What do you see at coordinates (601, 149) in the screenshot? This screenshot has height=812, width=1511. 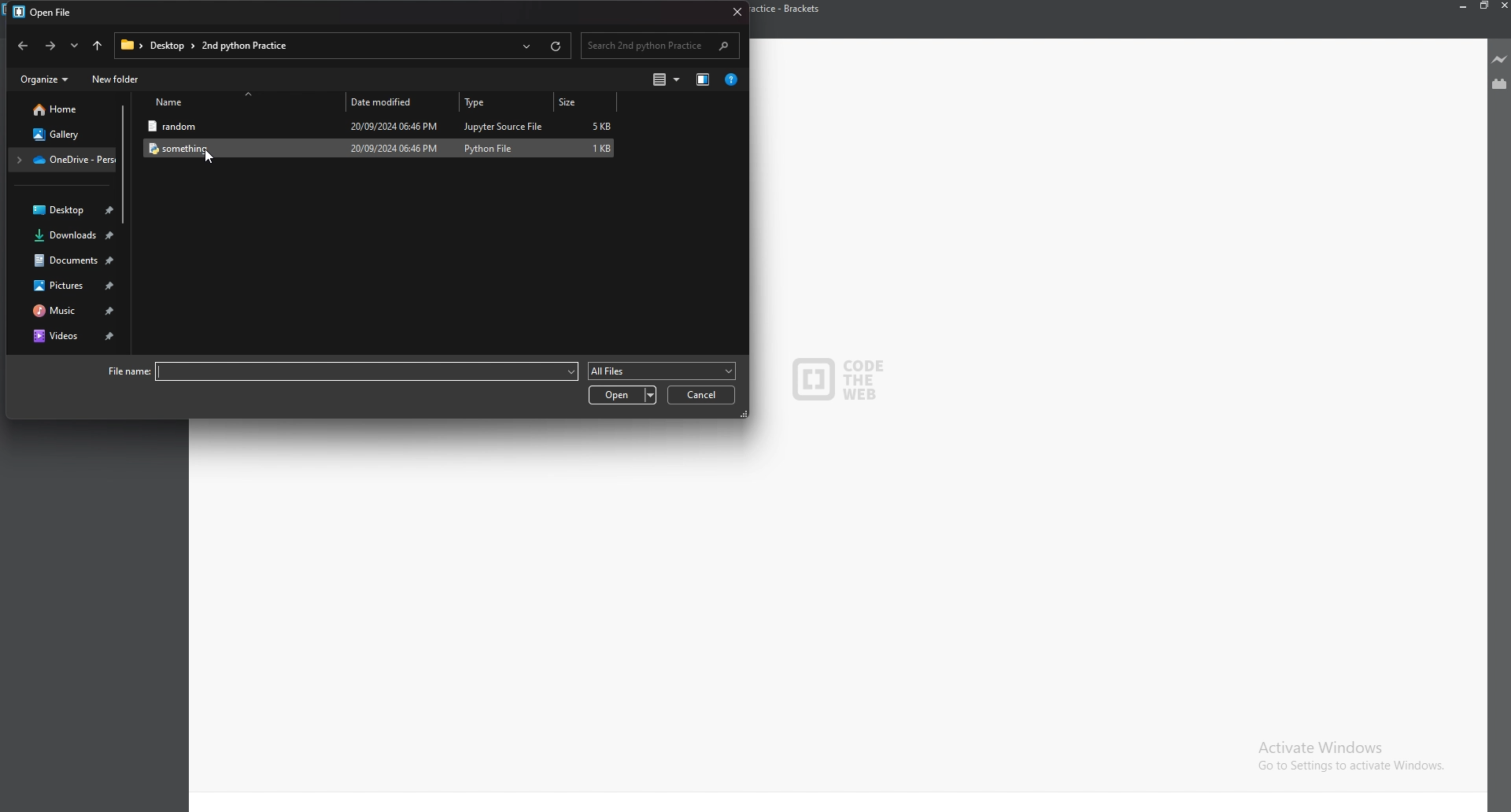 I see `1 KB` at bounding box center [601, 149].